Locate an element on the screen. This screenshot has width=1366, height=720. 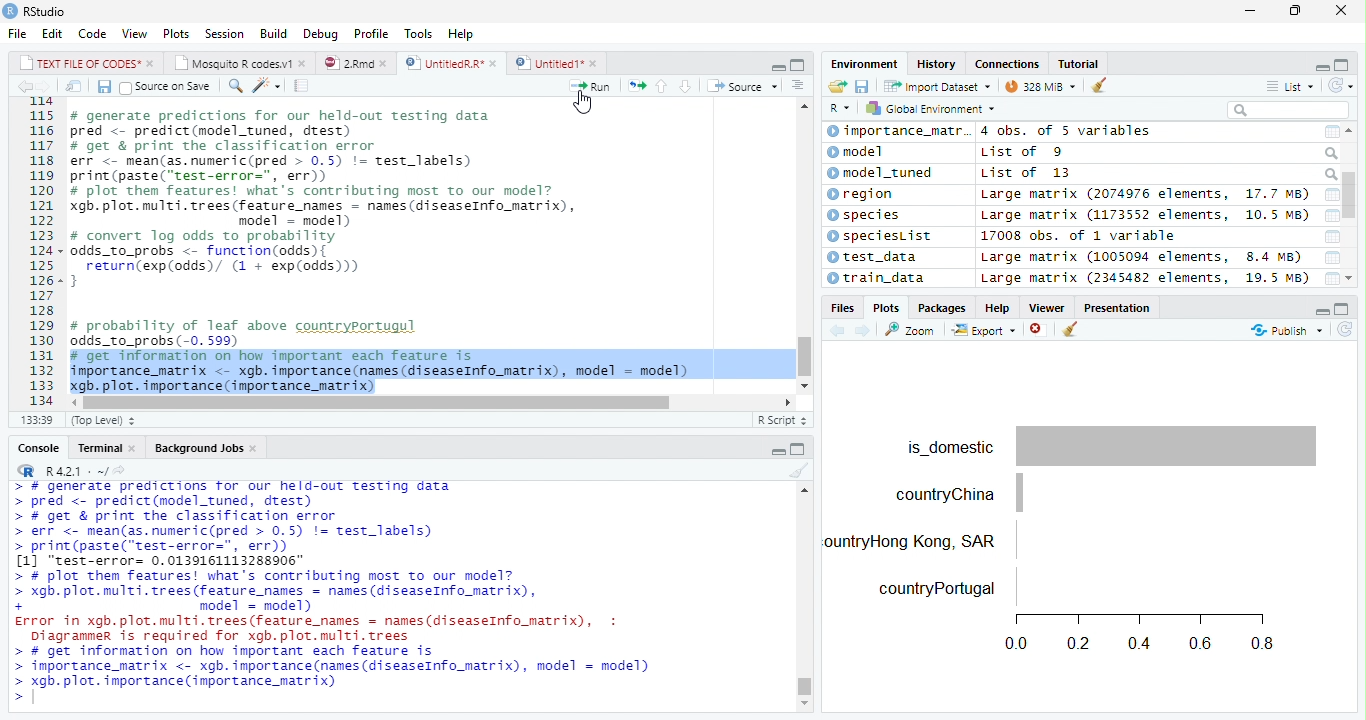
Clean is located at coordinates (1092, 86).